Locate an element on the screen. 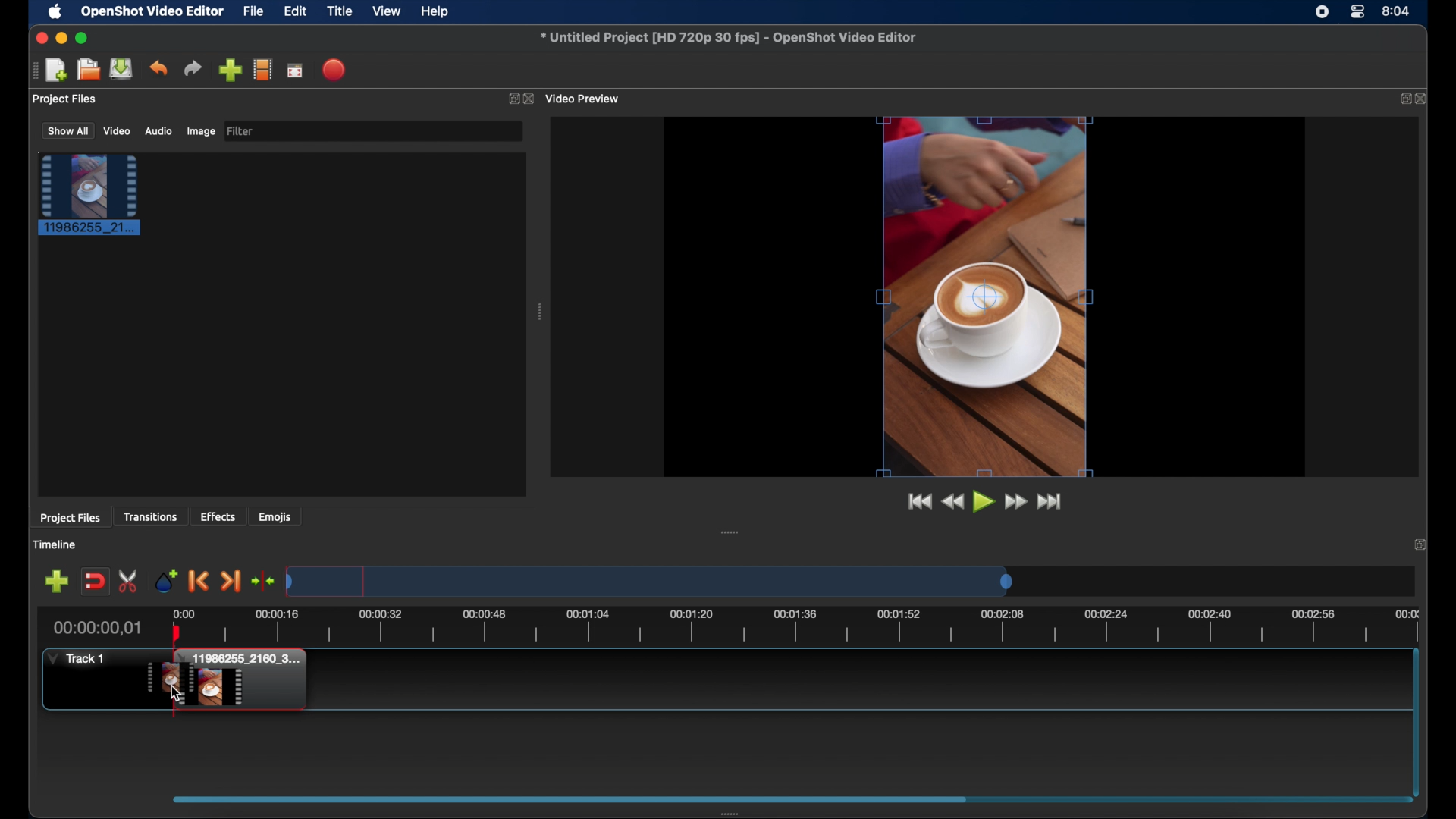 This screenshot has height=819, width=1456. time is located at coordinates (1397, 10).